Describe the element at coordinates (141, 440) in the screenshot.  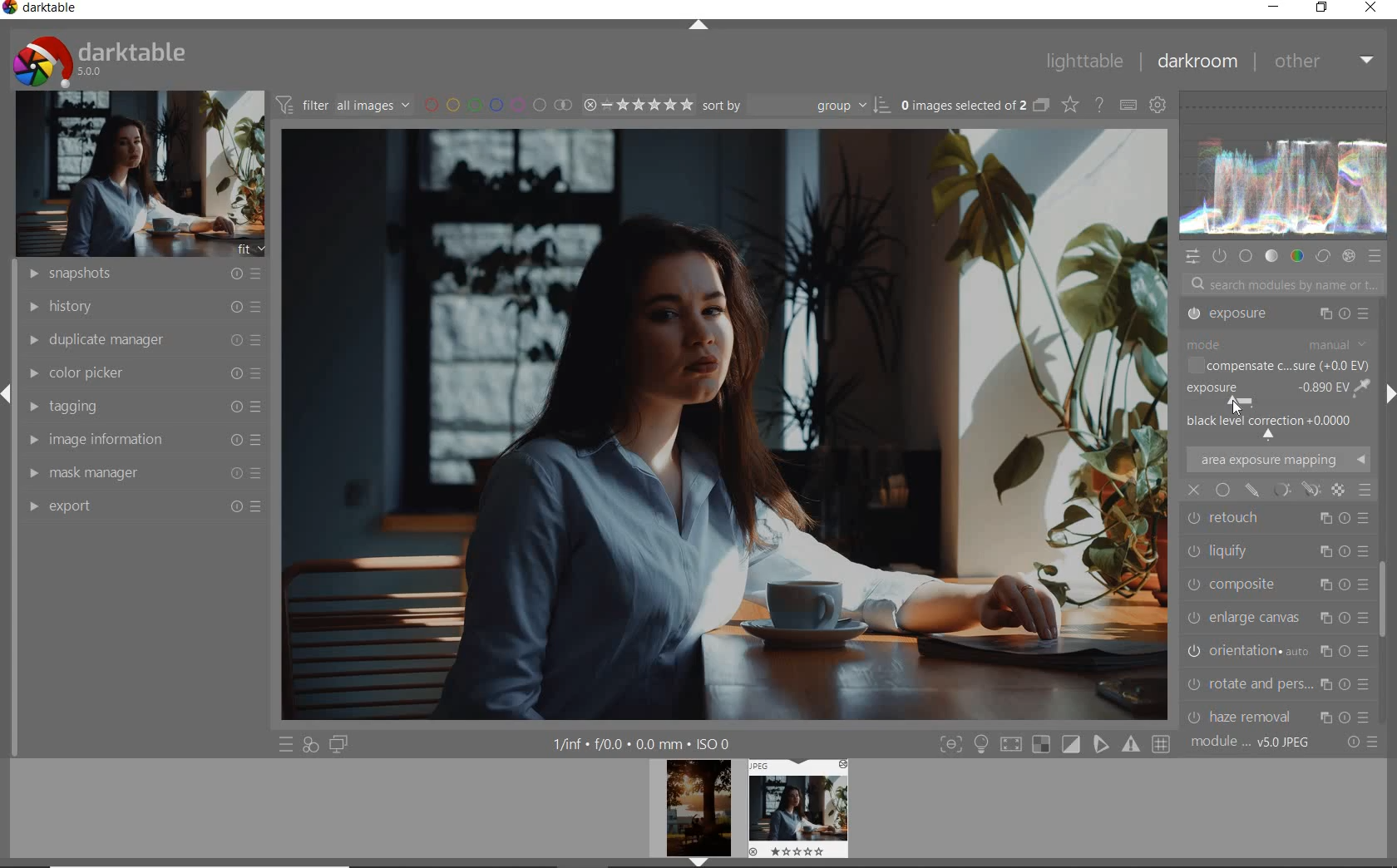
I see `IMAGE INFORMATION` at that location.